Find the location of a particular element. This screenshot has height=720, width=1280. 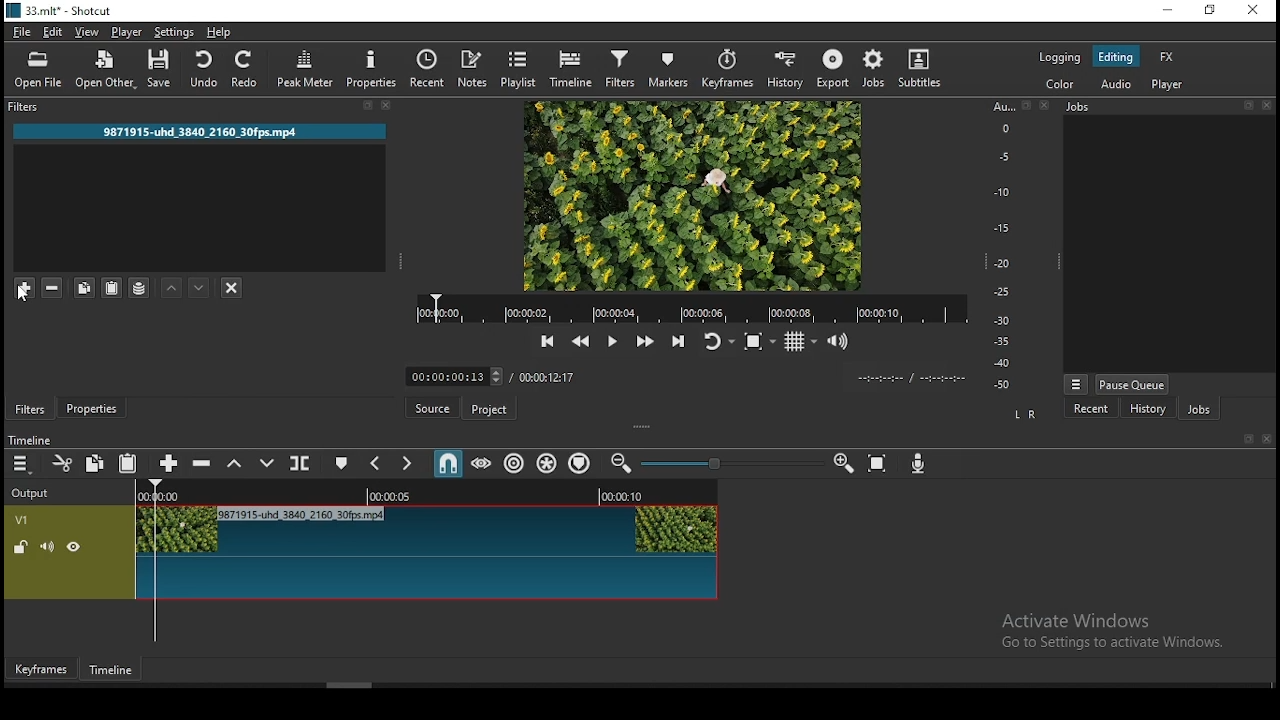

help is located at coordinates (220, 32).